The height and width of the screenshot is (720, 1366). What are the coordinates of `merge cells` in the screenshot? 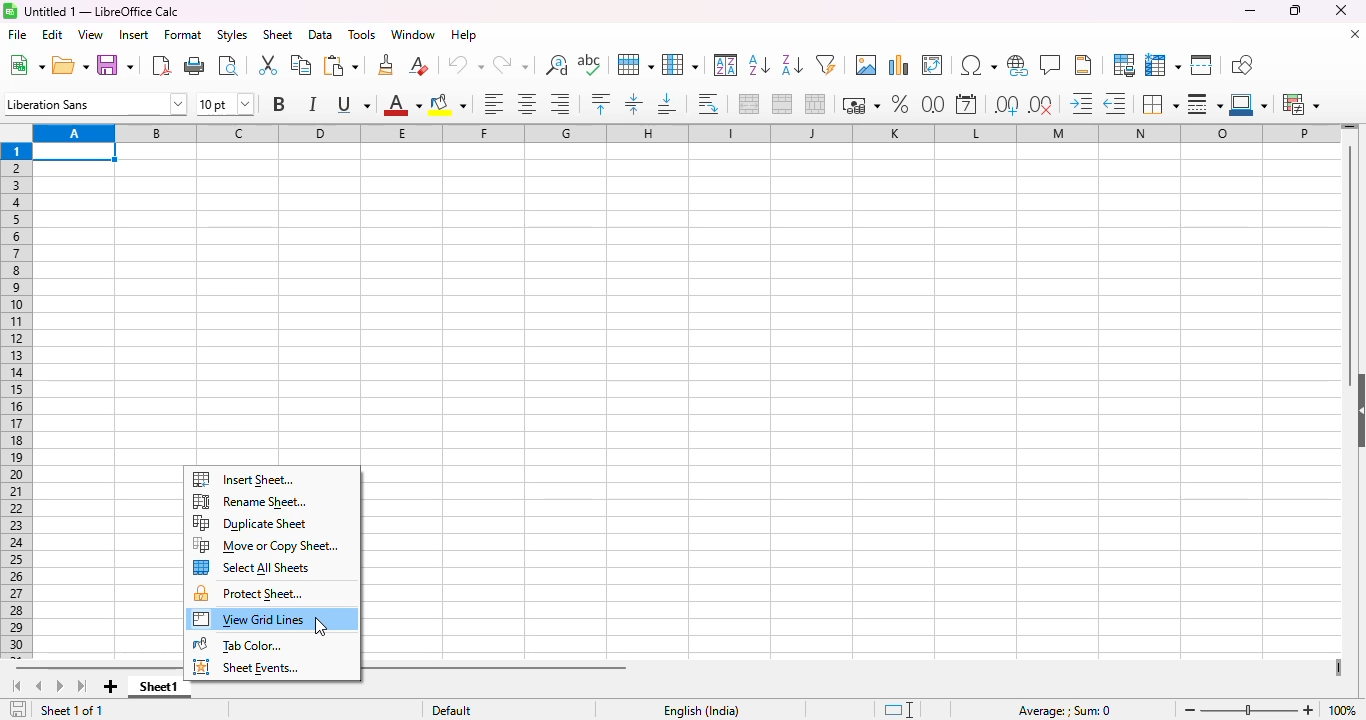 It's located at (784, 104).